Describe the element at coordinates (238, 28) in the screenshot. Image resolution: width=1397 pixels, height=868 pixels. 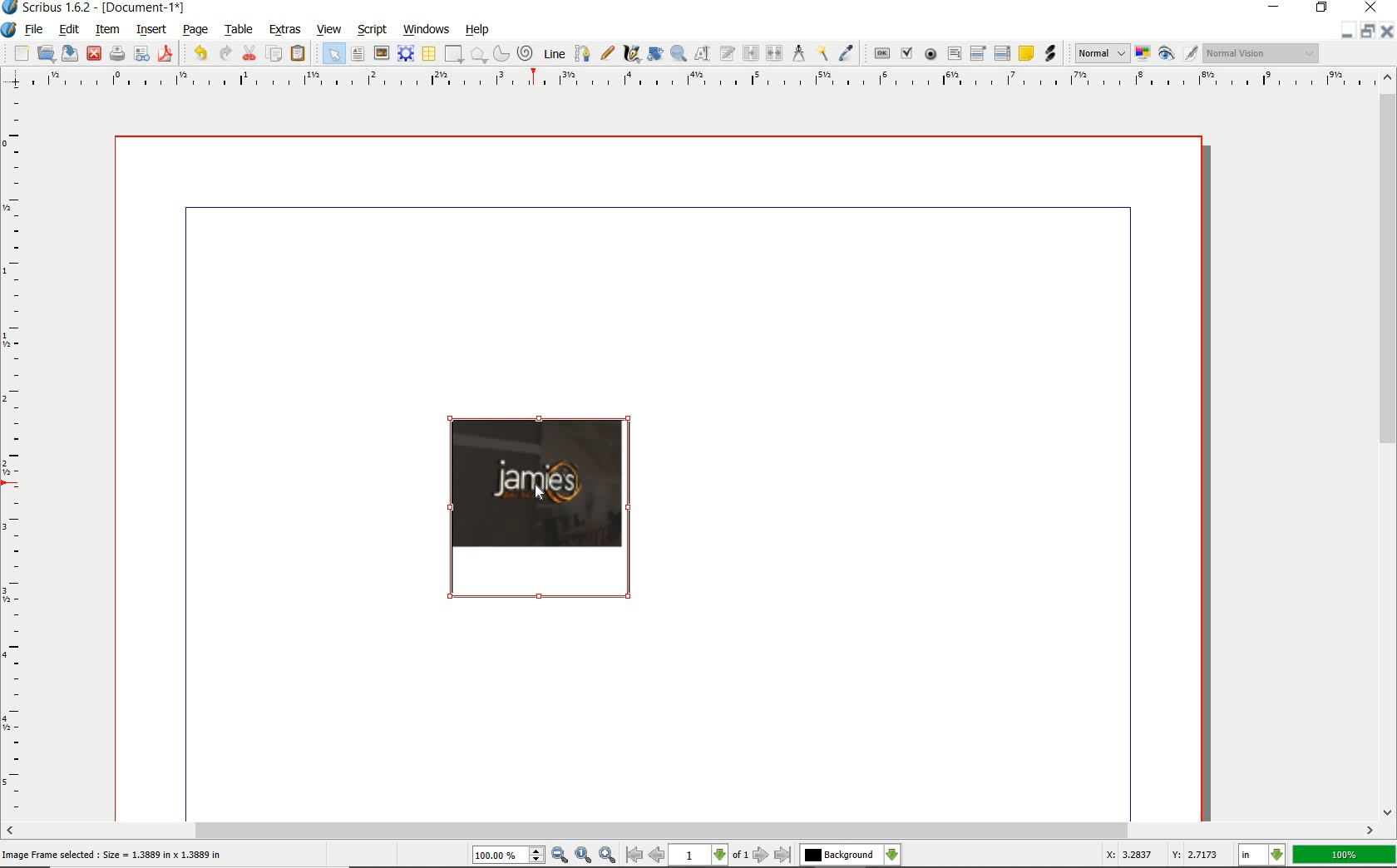
I see `table` at that location.